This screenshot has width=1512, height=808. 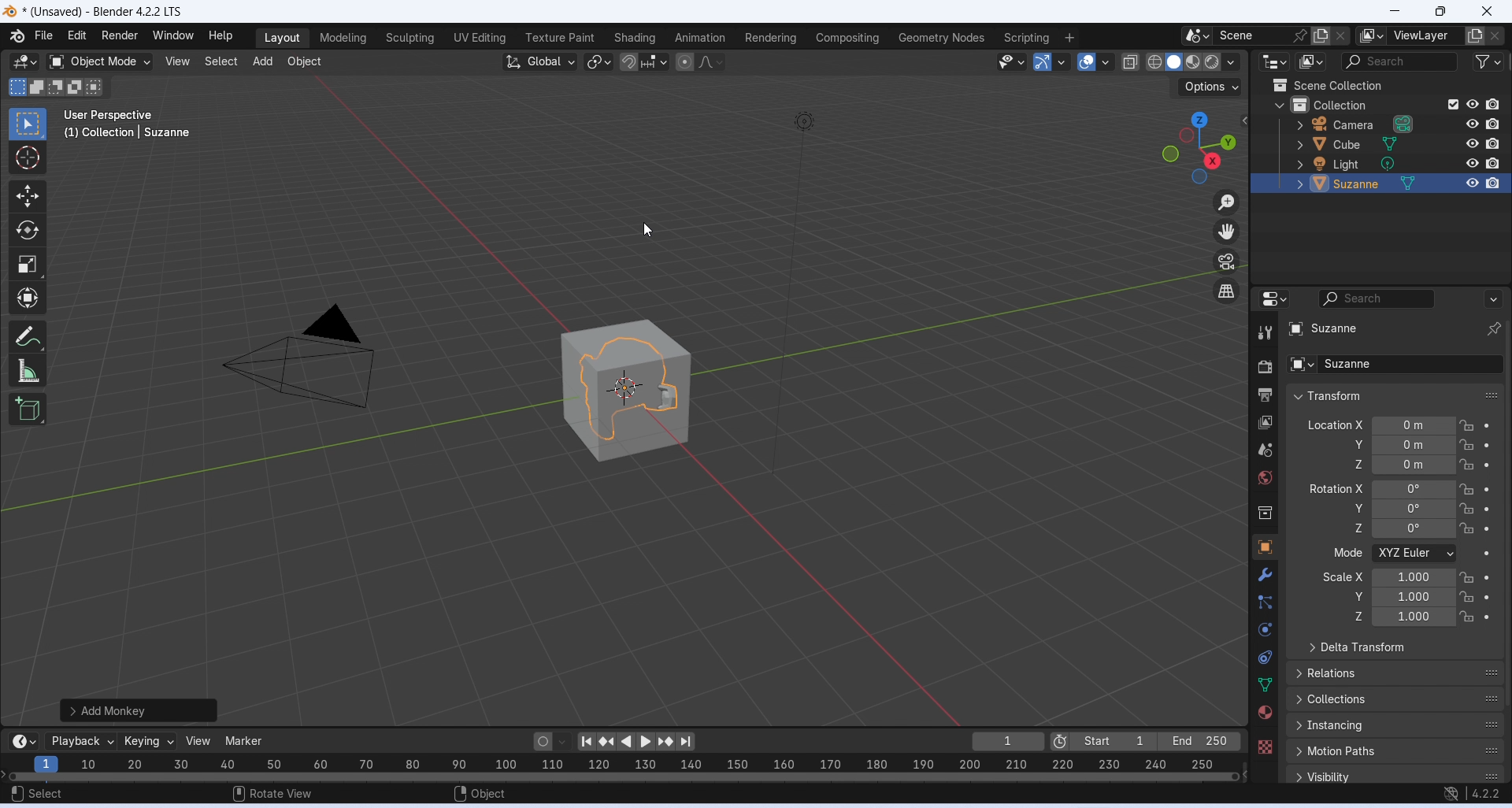 What do you see at coordinates (304, 62) in the screenshot?
I see `Object` at bounding box center [304, 62].